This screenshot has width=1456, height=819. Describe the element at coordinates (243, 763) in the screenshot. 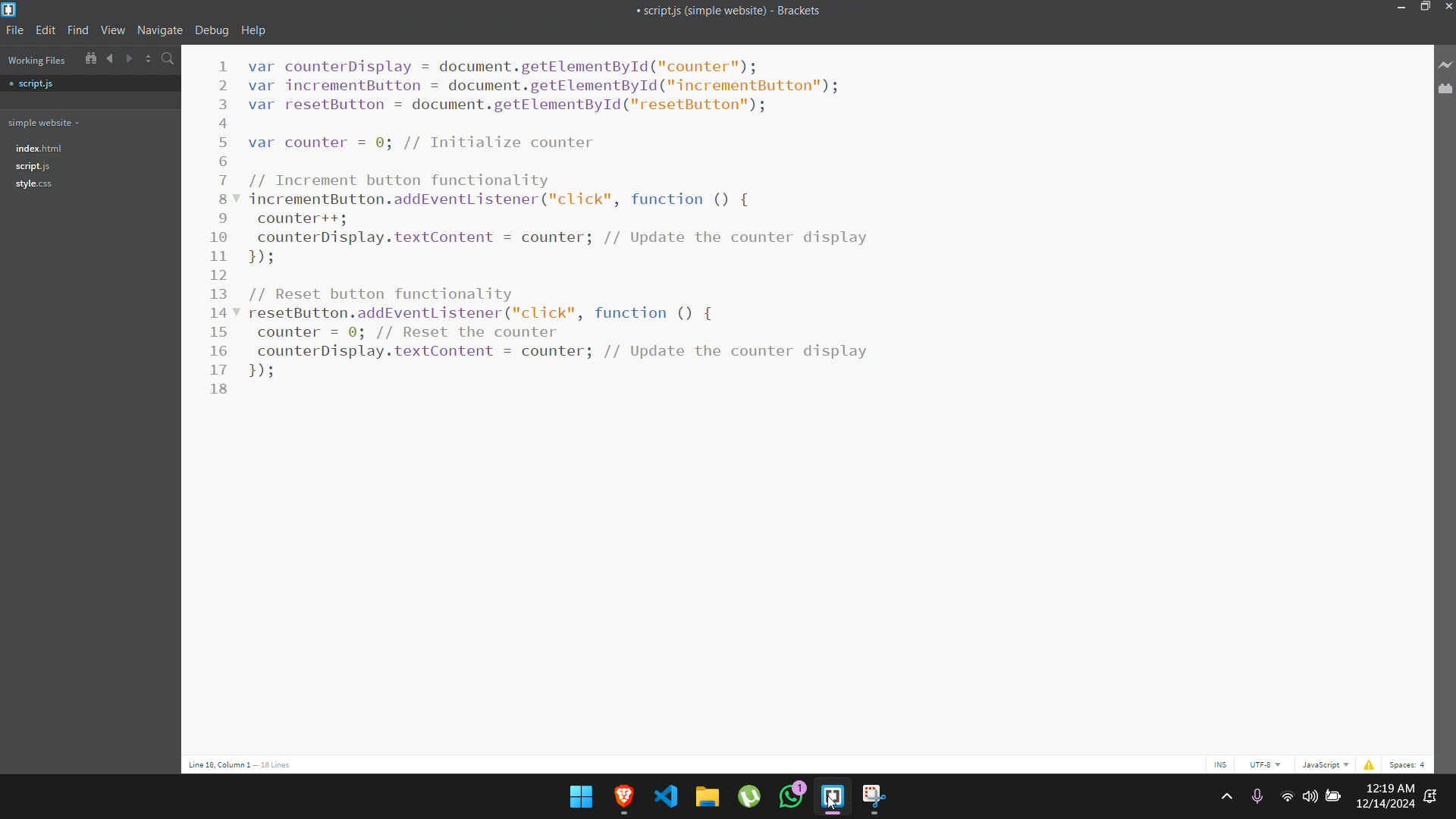

I see `Line 18, Column 1 - 18 lines` at that location.